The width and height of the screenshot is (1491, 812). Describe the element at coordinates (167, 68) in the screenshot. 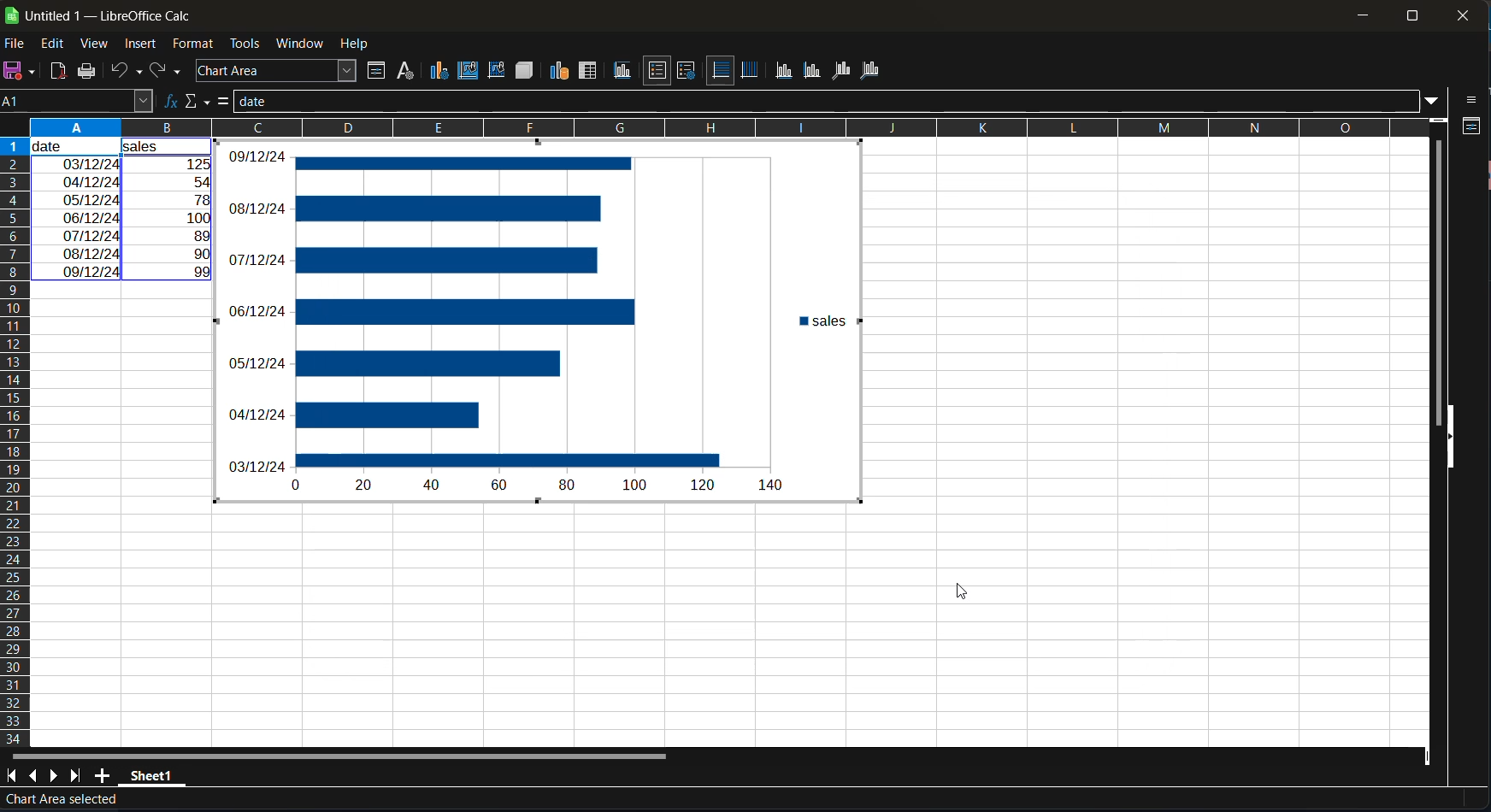

I see `redo` at that location.